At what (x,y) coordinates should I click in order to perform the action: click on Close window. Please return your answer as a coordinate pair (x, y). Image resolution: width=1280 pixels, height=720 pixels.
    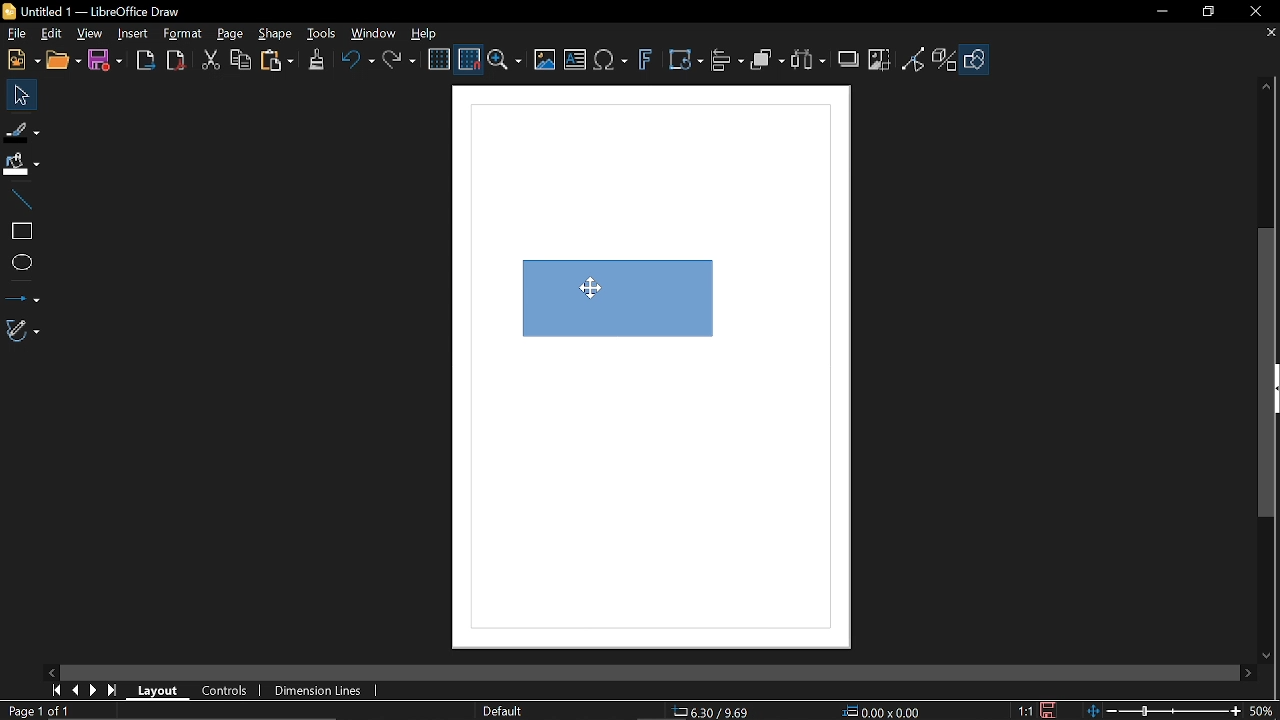
    Looking at the image, I should click on (1254, 11).